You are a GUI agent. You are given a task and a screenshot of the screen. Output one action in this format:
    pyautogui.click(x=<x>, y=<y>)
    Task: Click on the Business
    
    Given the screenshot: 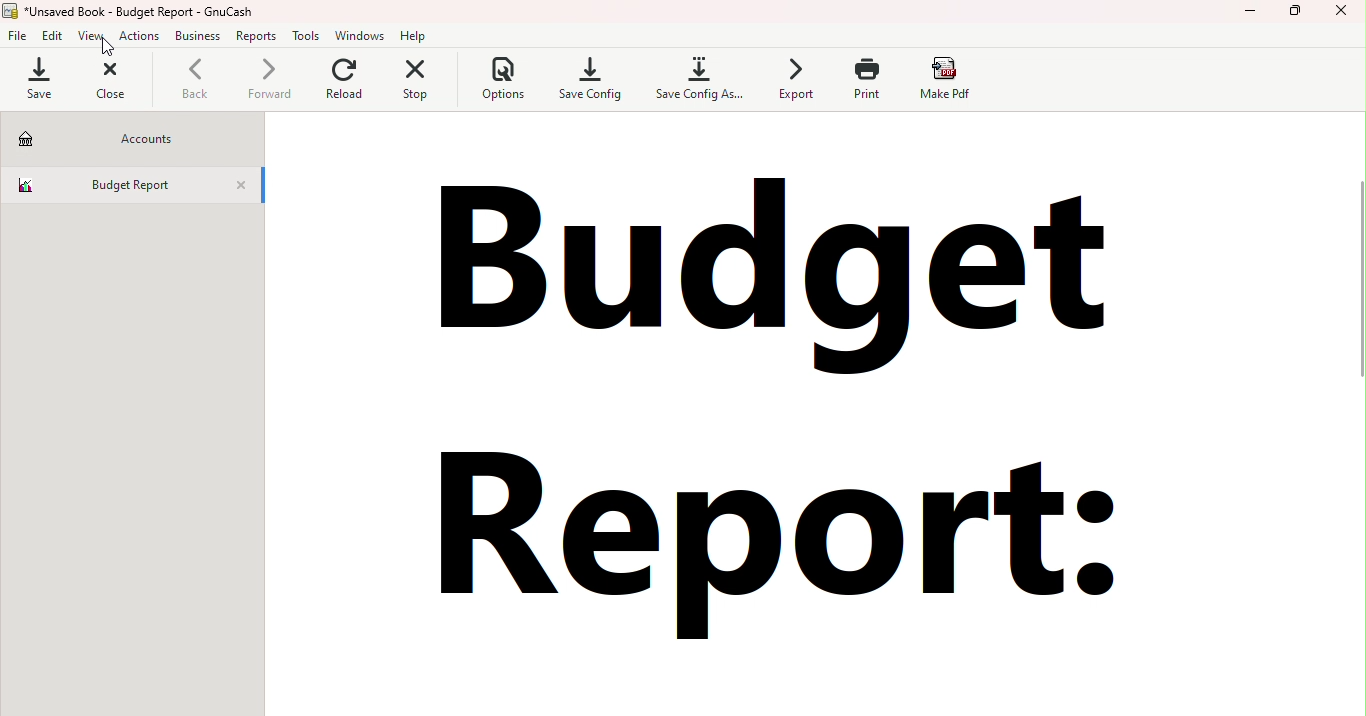 What is the action you would take?
    pyautogui.click(x=197, y=36)
    